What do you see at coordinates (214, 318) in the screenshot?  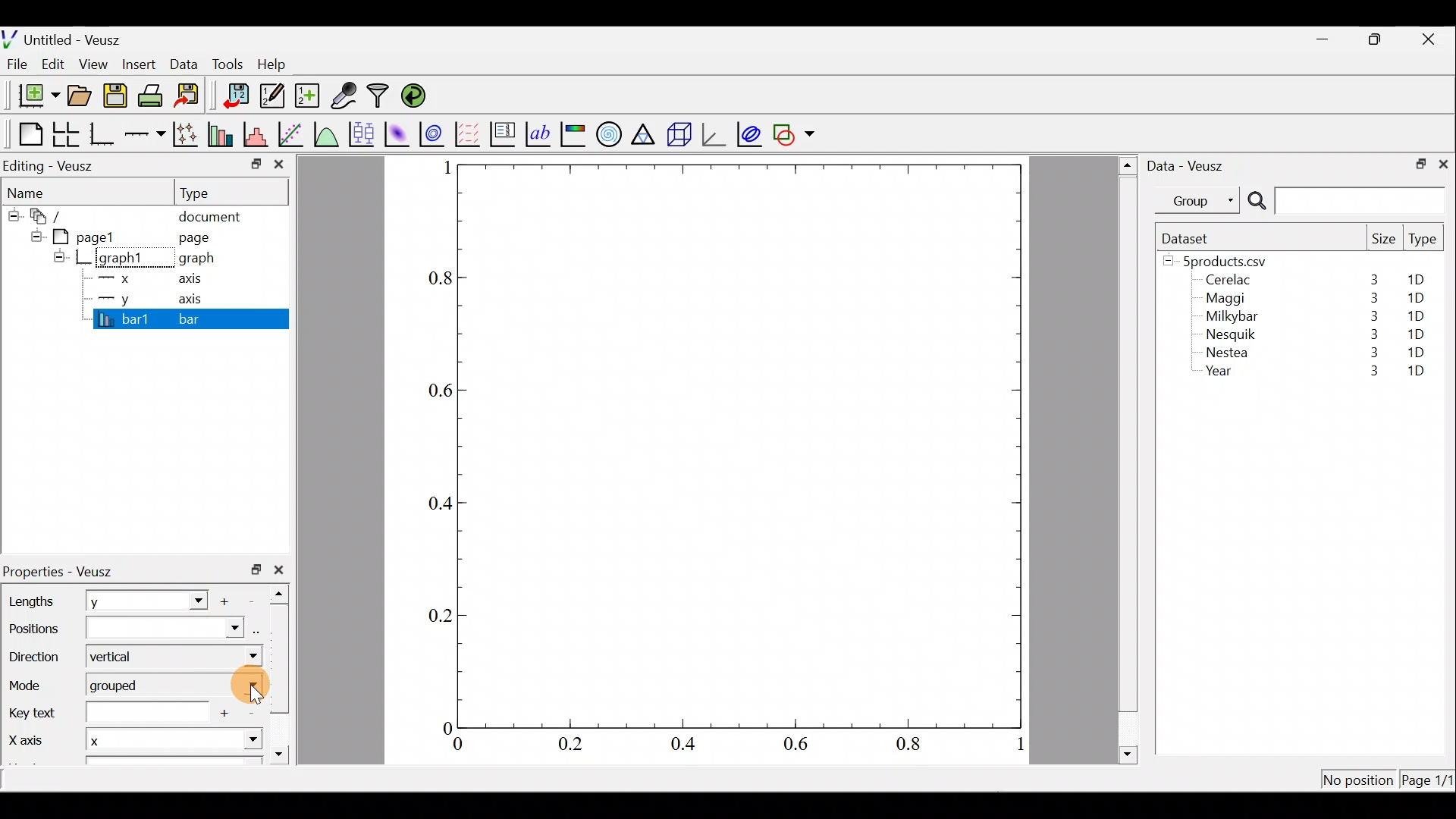 I see `bar` at bounding box center [214, 318].